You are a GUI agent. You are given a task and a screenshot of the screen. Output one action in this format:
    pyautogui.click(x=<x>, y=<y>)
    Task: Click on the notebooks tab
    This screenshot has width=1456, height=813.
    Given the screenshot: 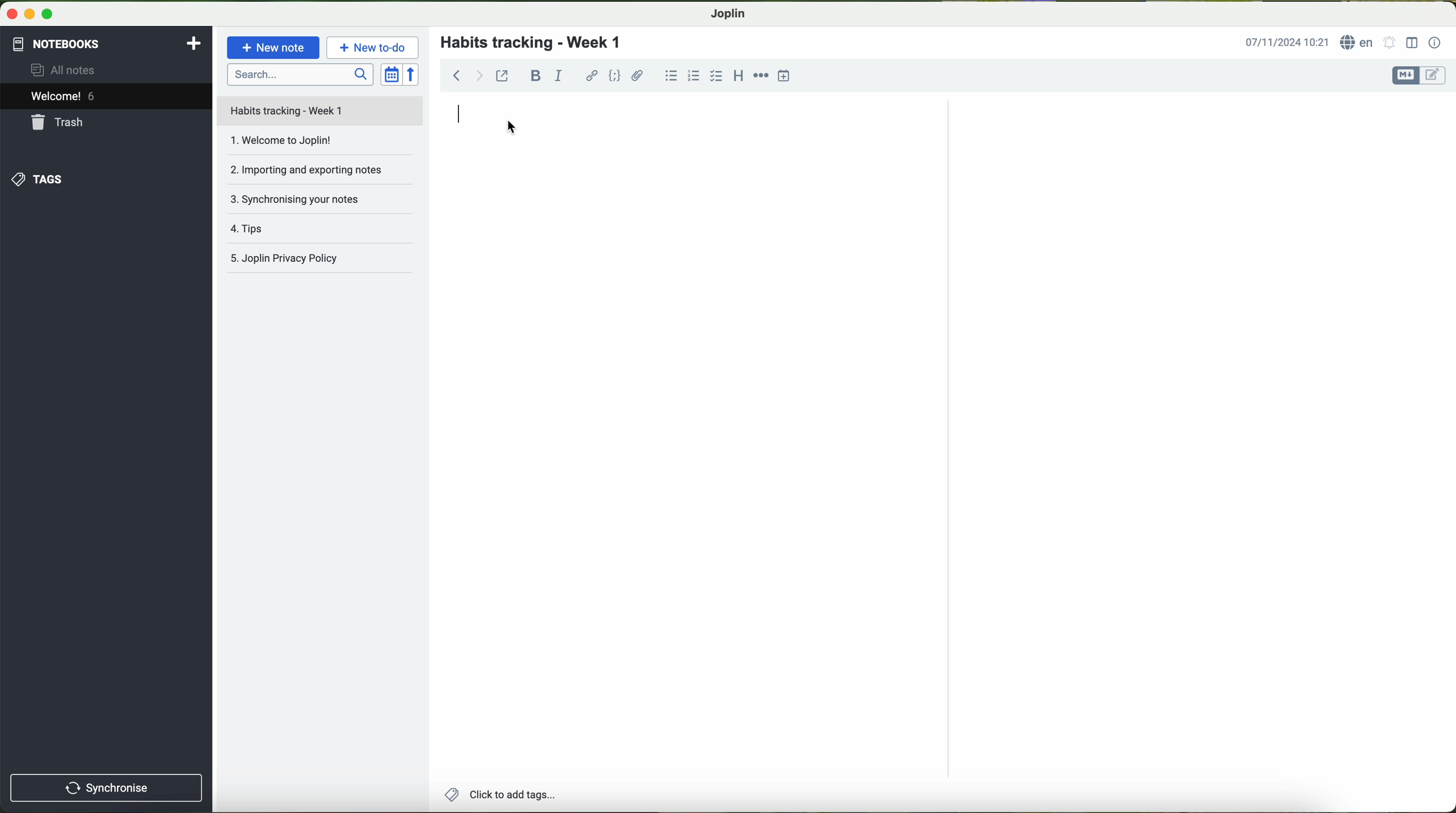 What is the action you would take?
    pyautogui.click(x=108, y=44)
    